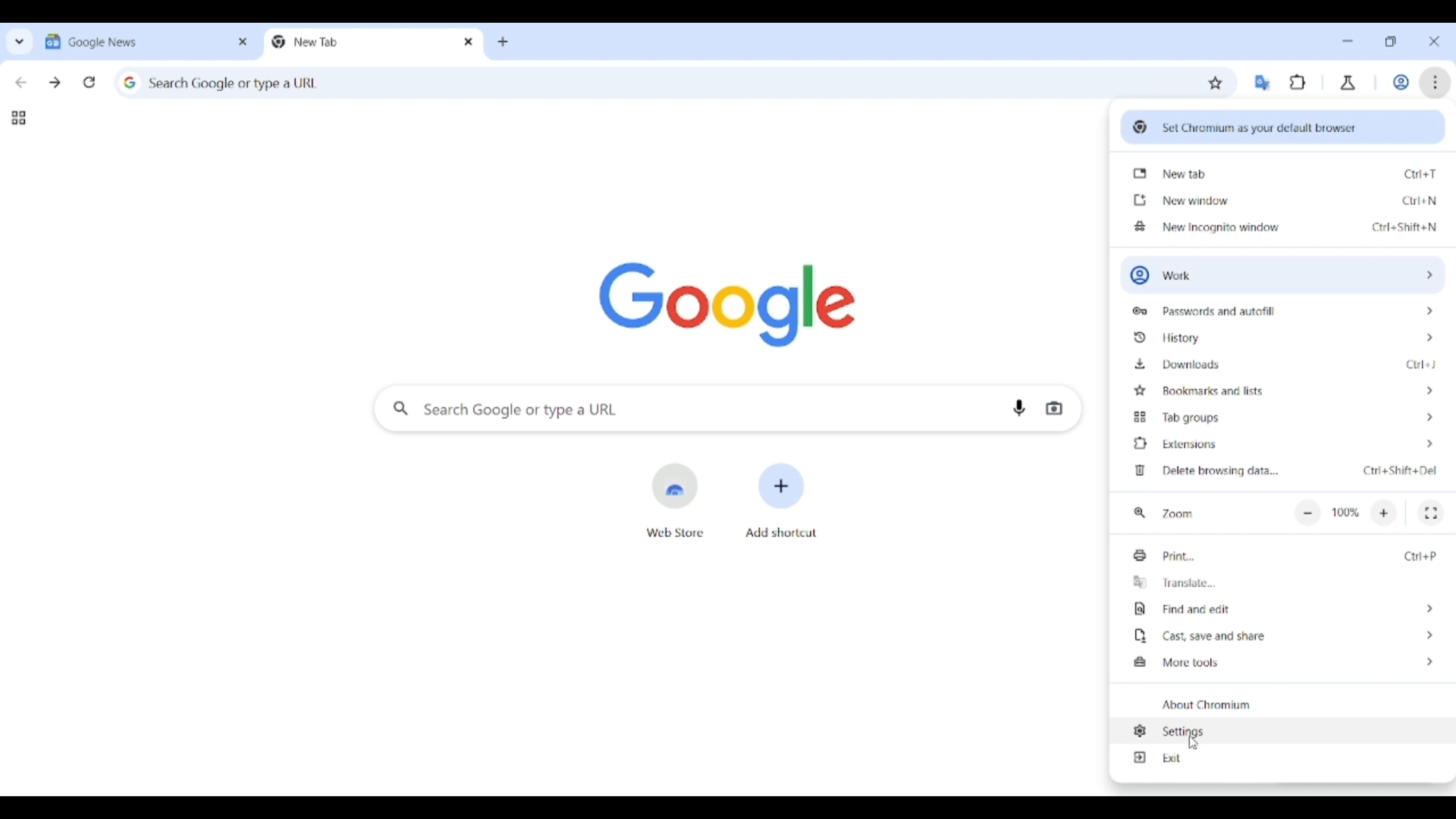  Describe the element at coordinates (1298, 82) in the screenshot. I see `Browser extensions` at that location.